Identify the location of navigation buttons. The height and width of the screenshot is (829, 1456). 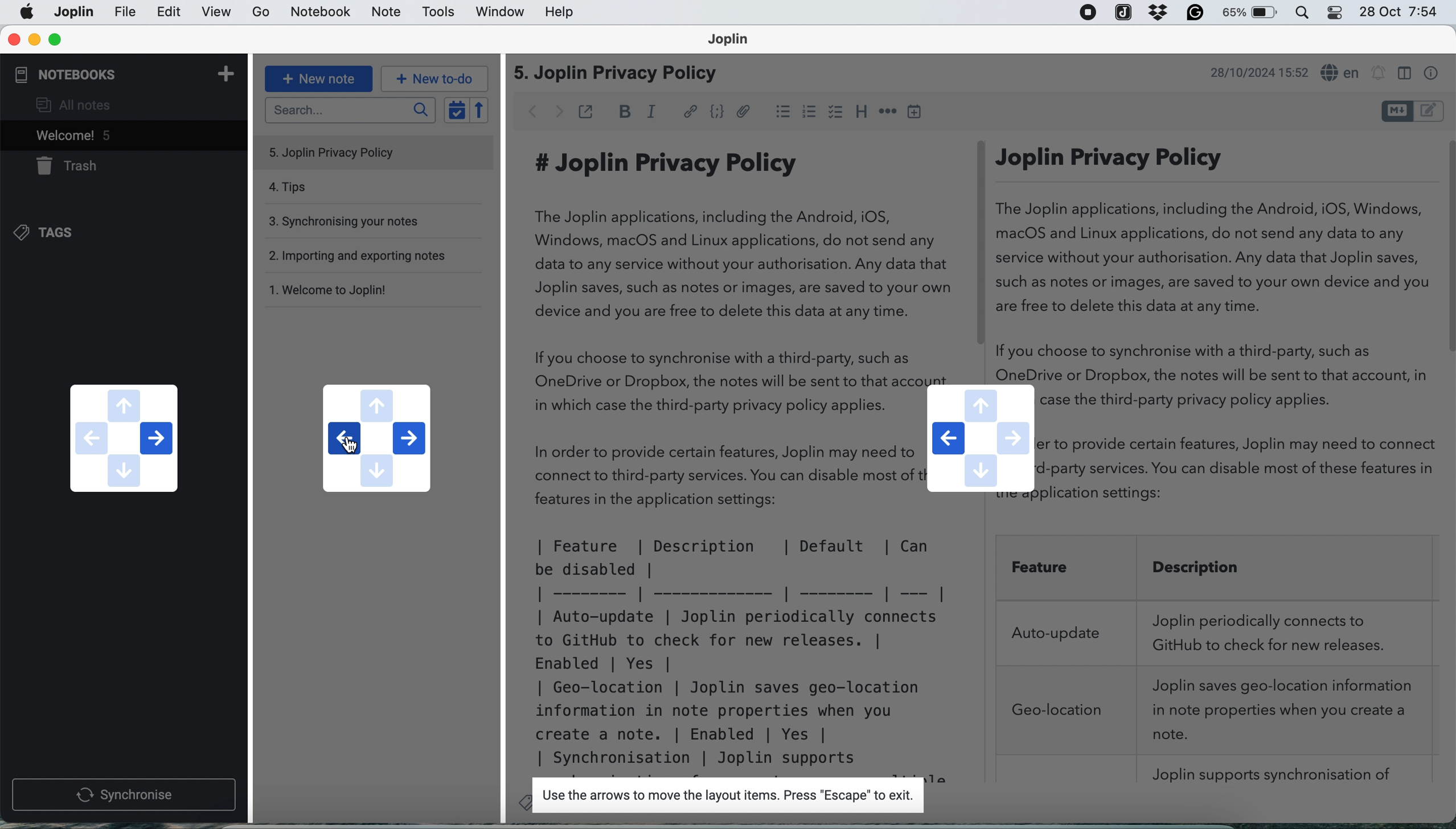
(122, 438).